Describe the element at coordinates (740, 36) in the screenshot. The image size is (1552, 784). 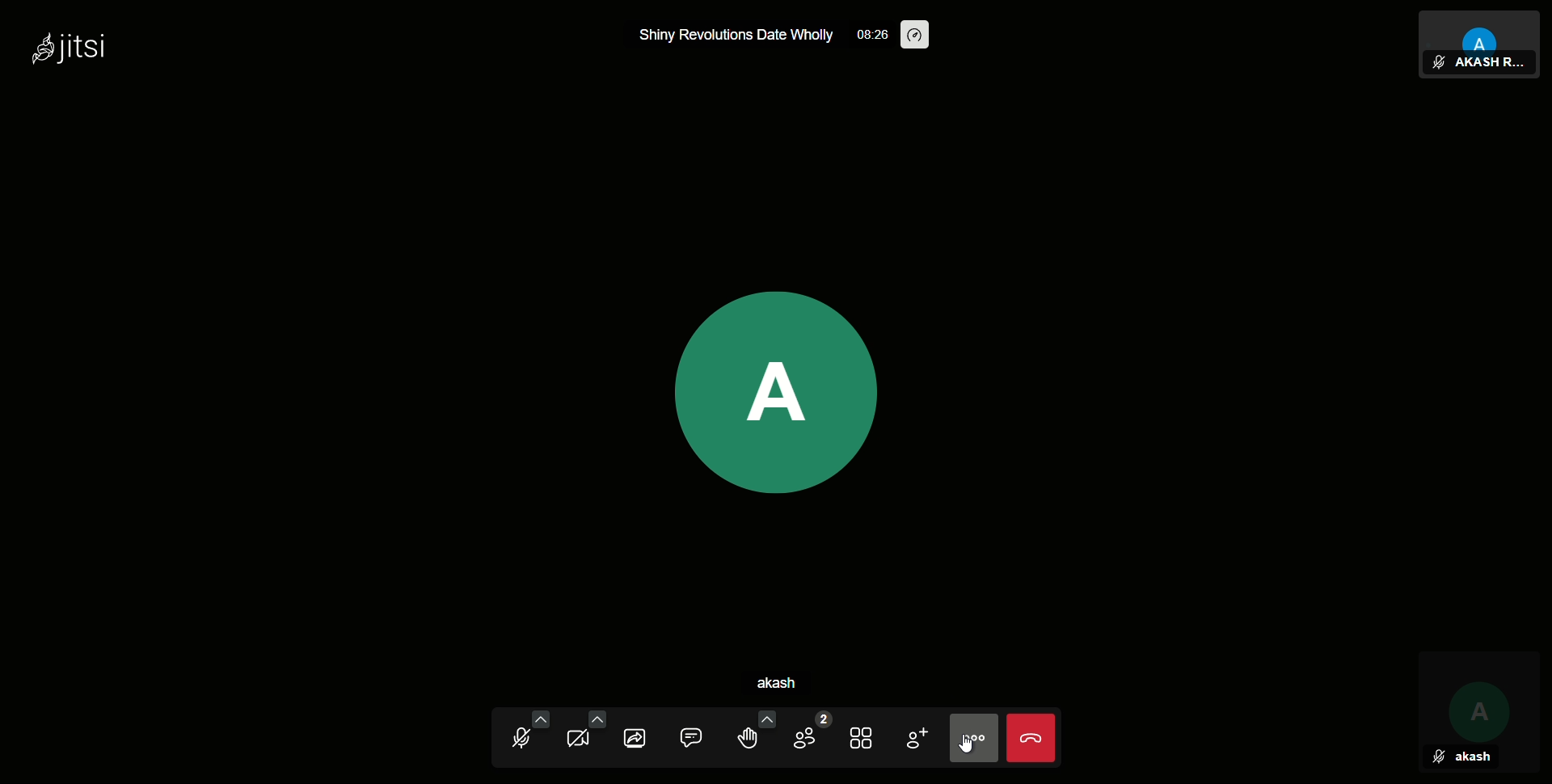
I see `shiny revolutions date wholly` at that location.